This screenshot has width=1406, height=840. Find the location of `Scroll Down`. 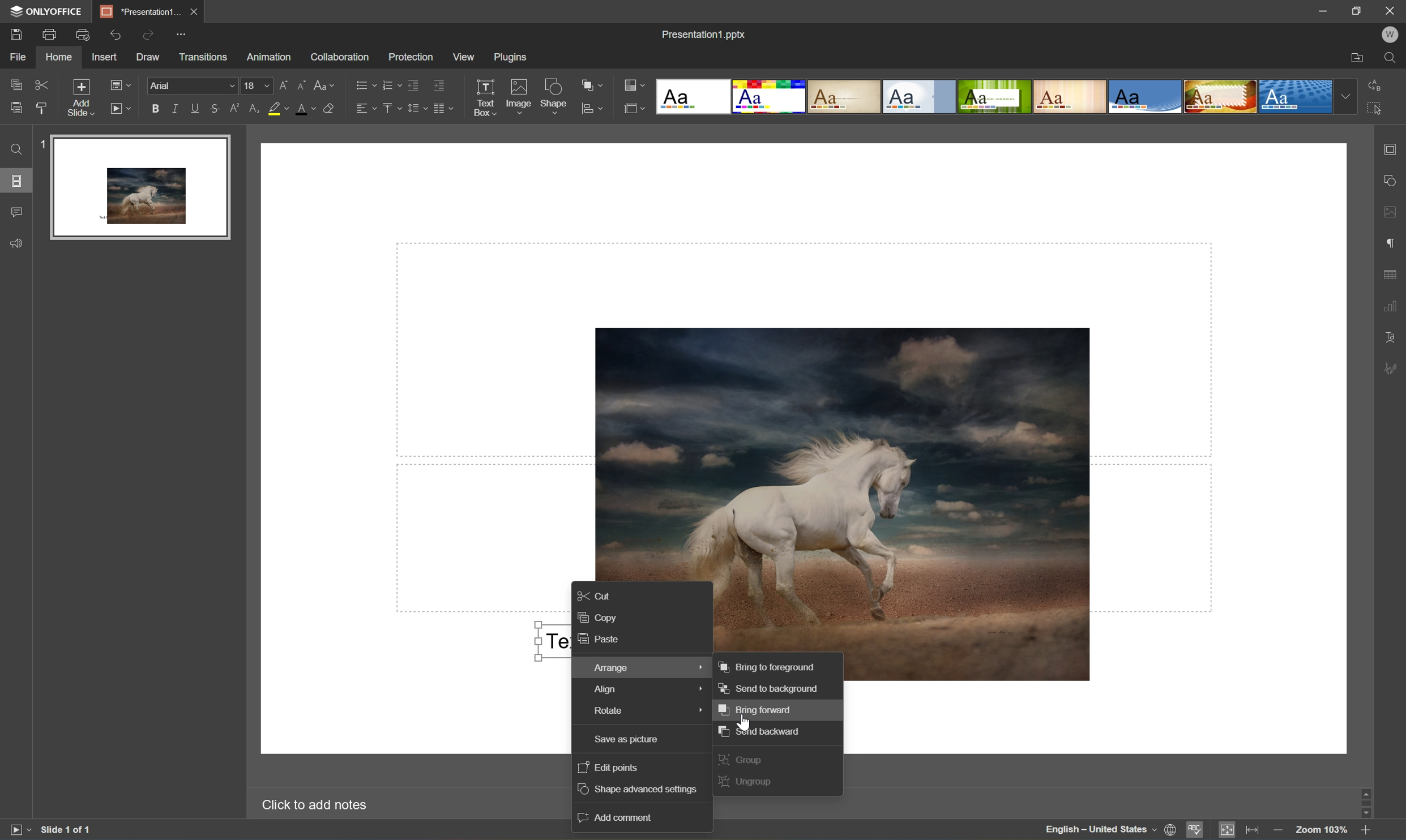

Scroll Down is located at coordinates (1366, 812).